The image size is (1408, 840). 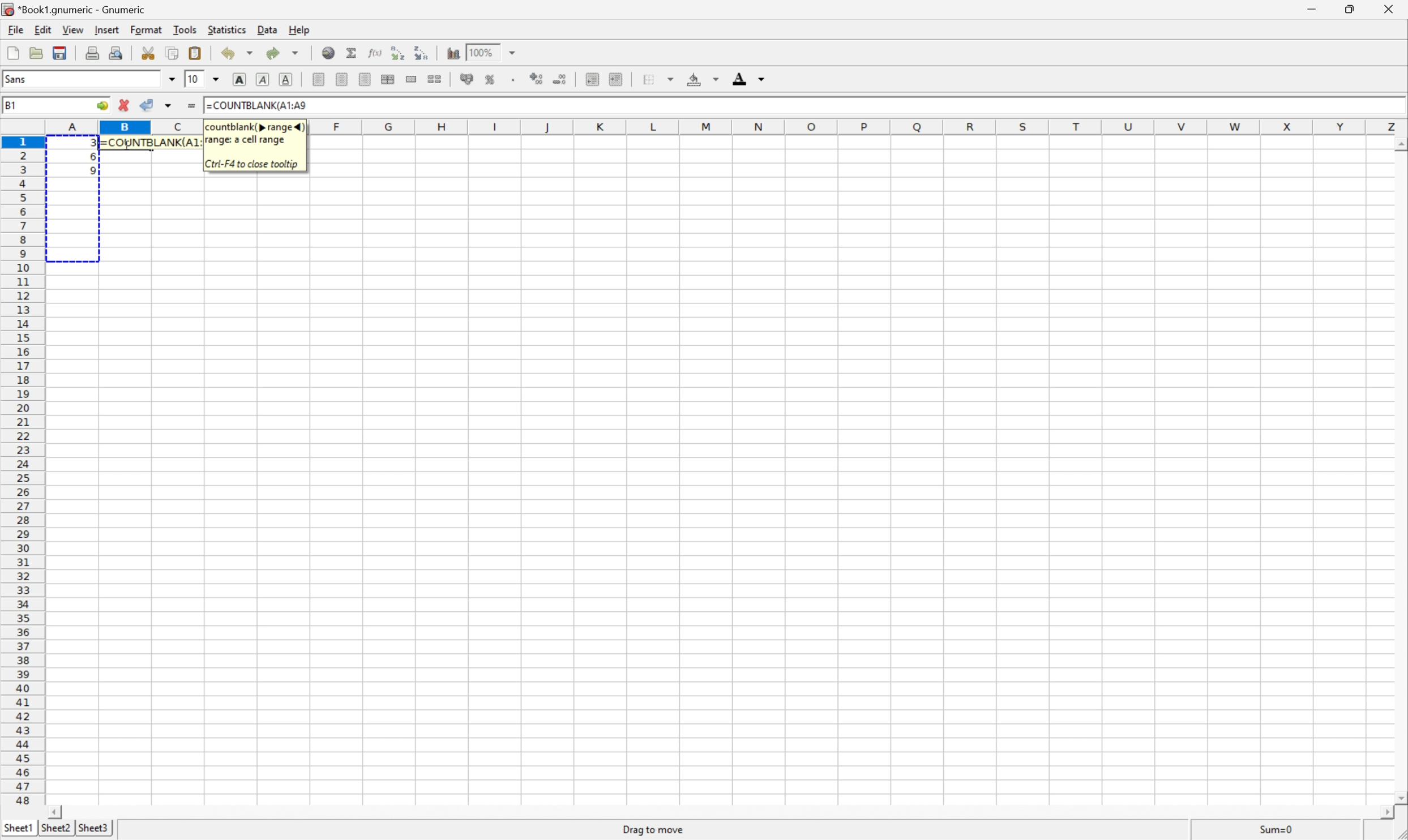 I want to click on Decrease indent, and align the contents to the left, so click(x=592, y=78).